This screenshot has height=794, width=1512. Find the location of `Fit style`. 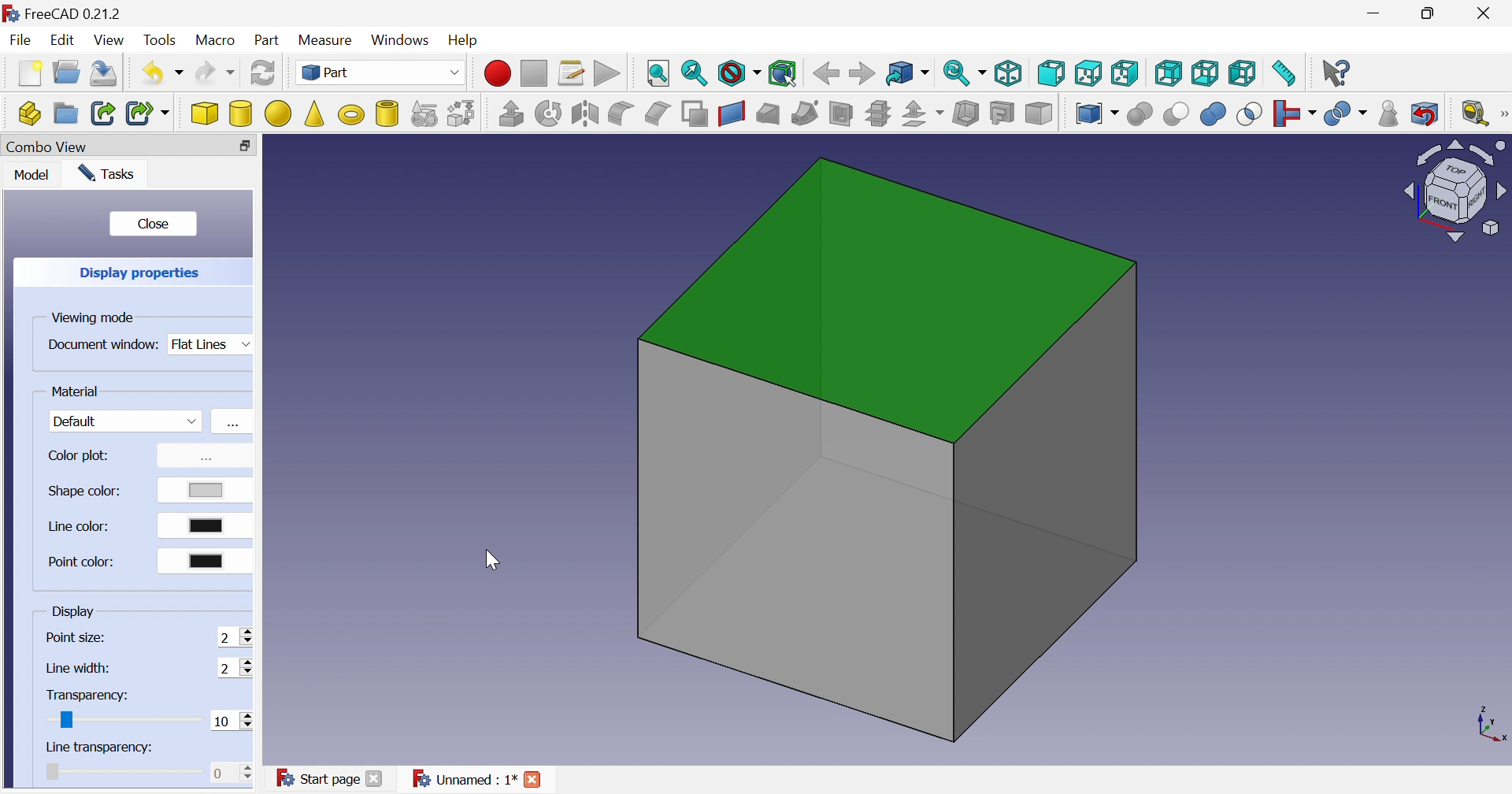

Fit style is located at coordinates (659, 74).